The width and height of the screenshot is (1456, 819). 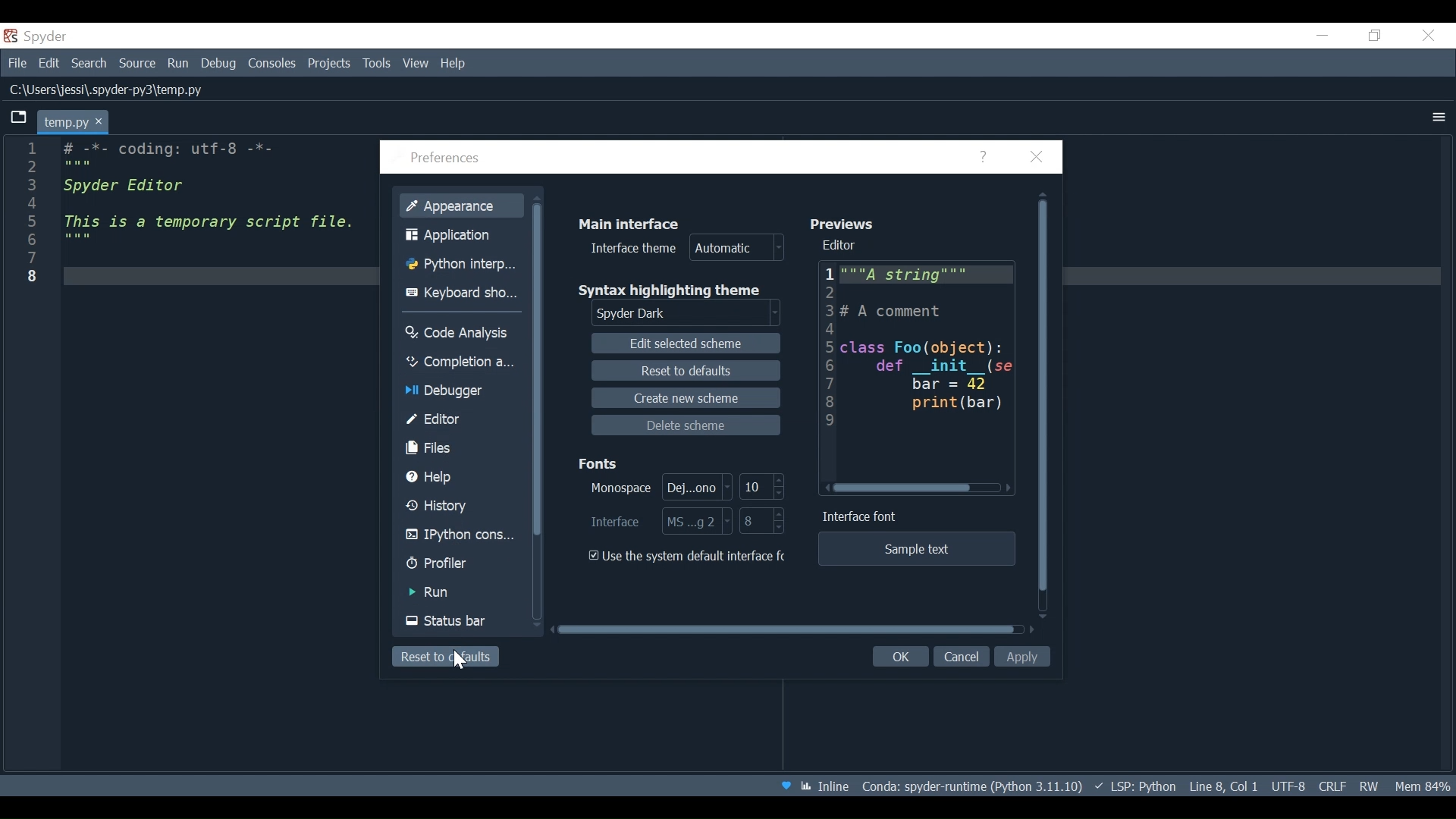 I want to click on More Options, so click(x=1439, y=117).